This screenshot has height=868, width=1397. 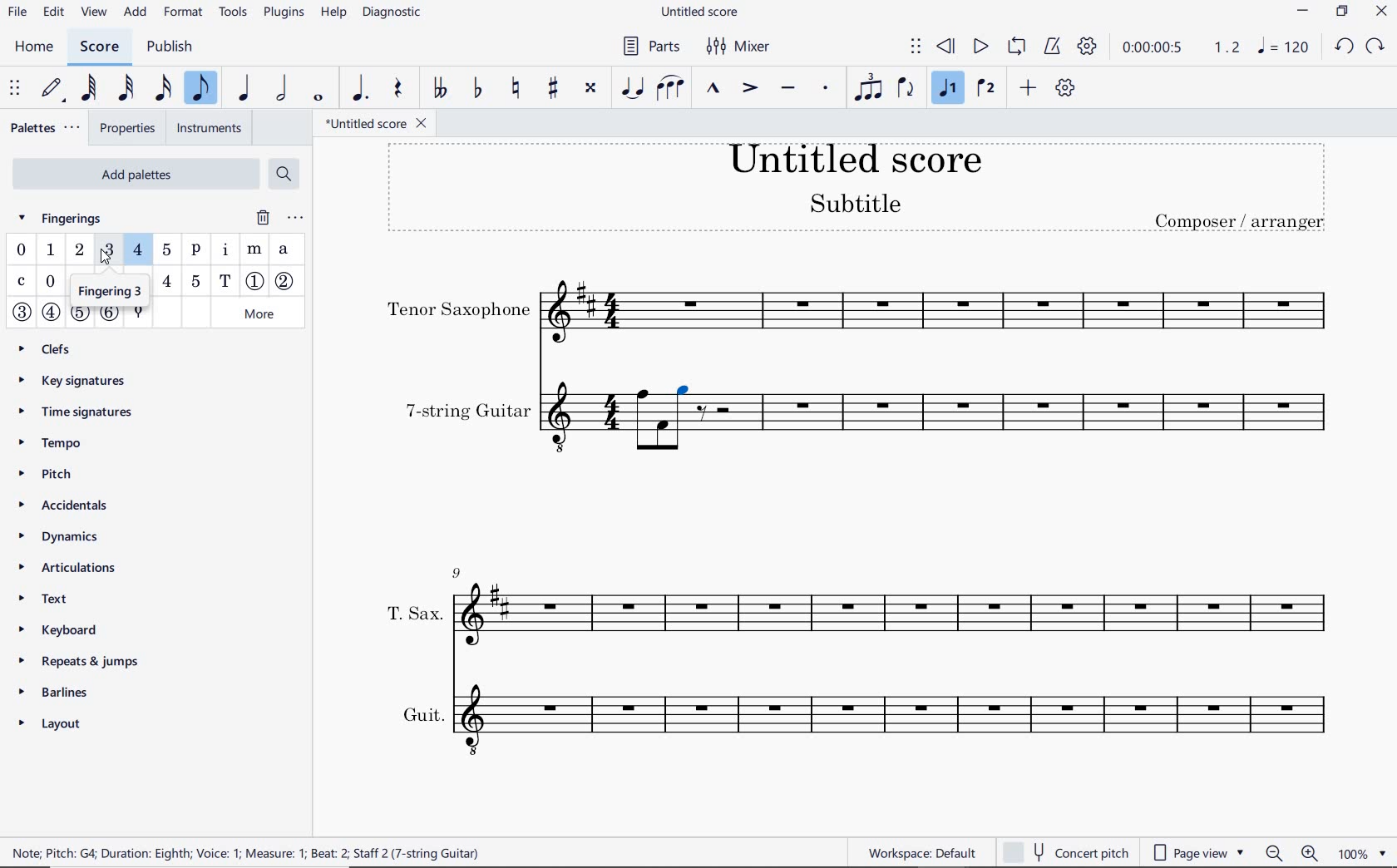 I want to click on PALETTES, so click(x=47, y=127).